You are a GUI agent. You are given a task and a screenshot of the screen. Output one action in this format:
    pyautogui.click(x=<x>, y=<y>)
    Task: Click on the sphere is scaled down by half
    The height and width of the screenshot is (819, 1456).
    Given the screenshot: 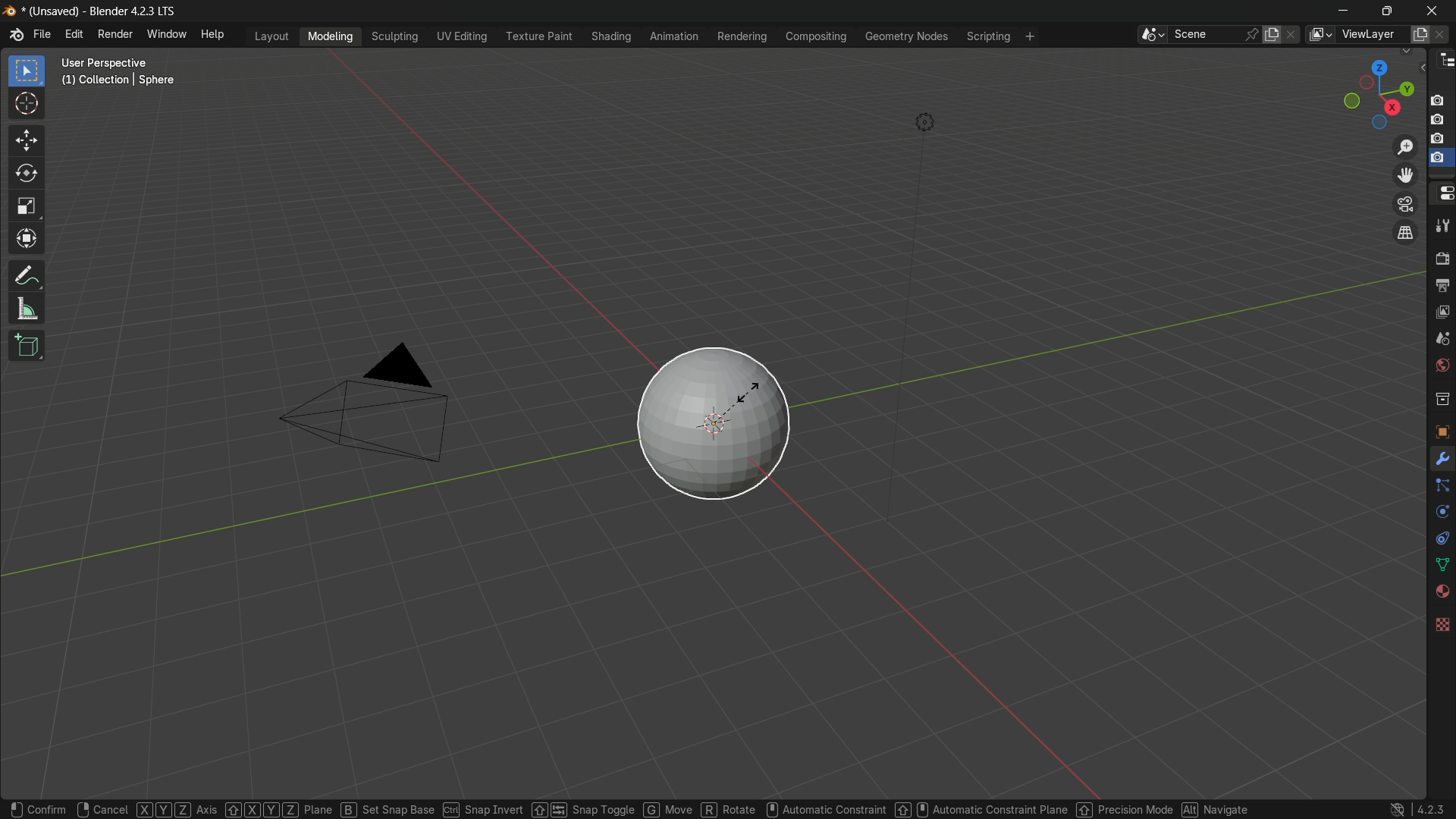 What is the action you would take?
    pyautogui.click(x=711, y=424)
    